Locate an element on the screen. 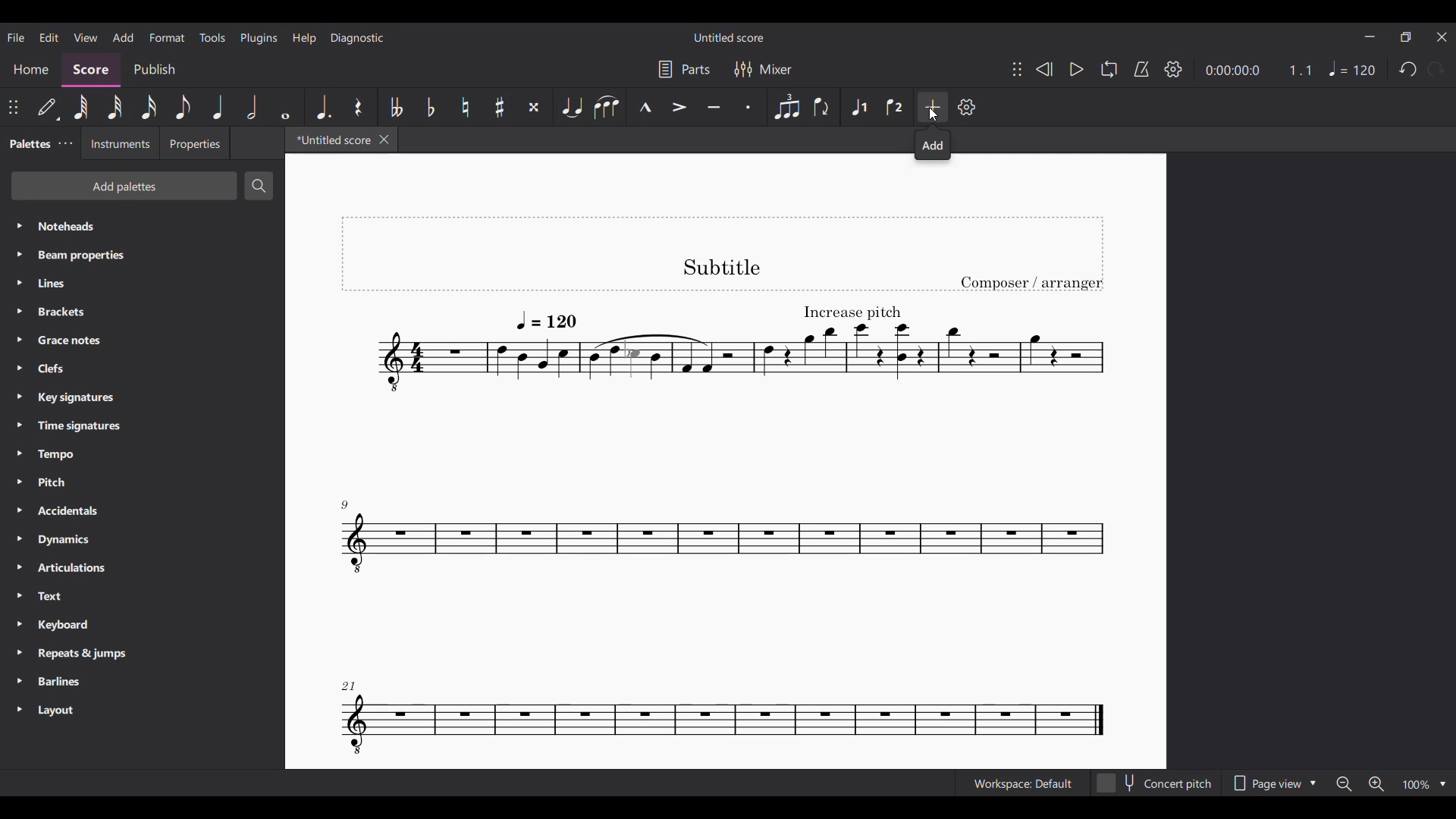  Workspace: Default is located at coordinates (1023, 783).